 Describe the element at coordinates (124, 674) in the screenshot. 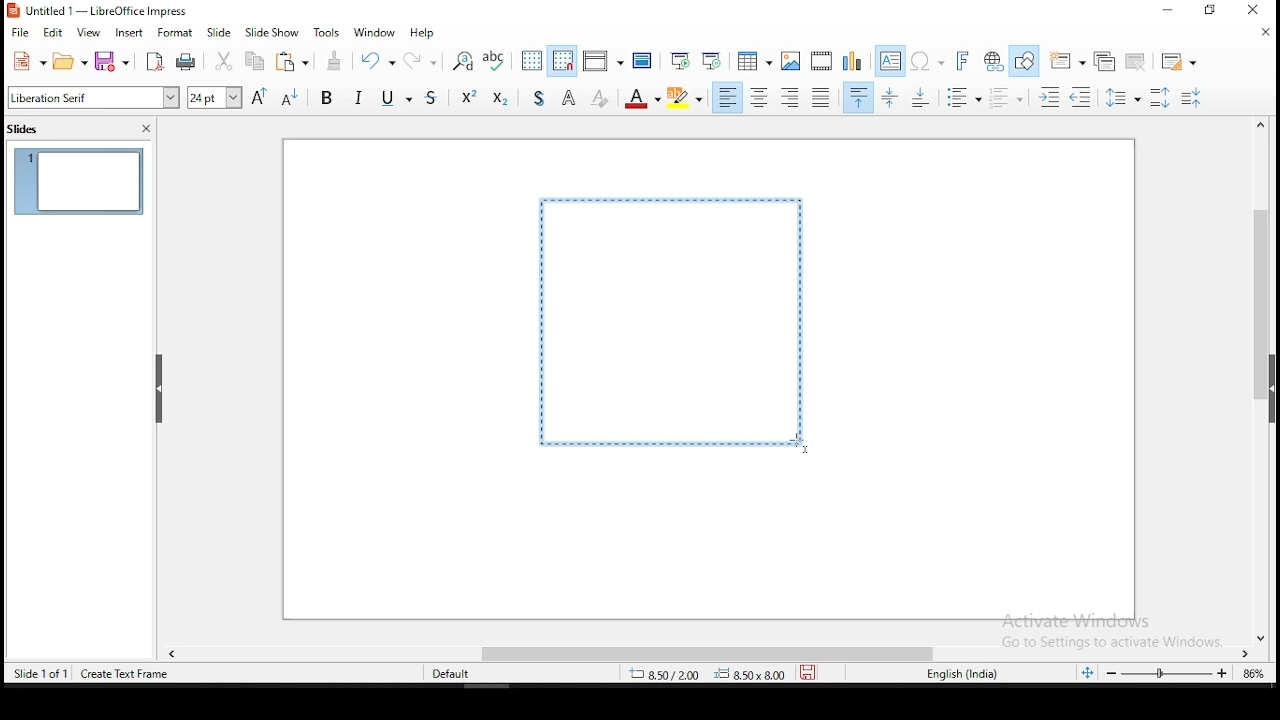

I see `create text frame` at that location.